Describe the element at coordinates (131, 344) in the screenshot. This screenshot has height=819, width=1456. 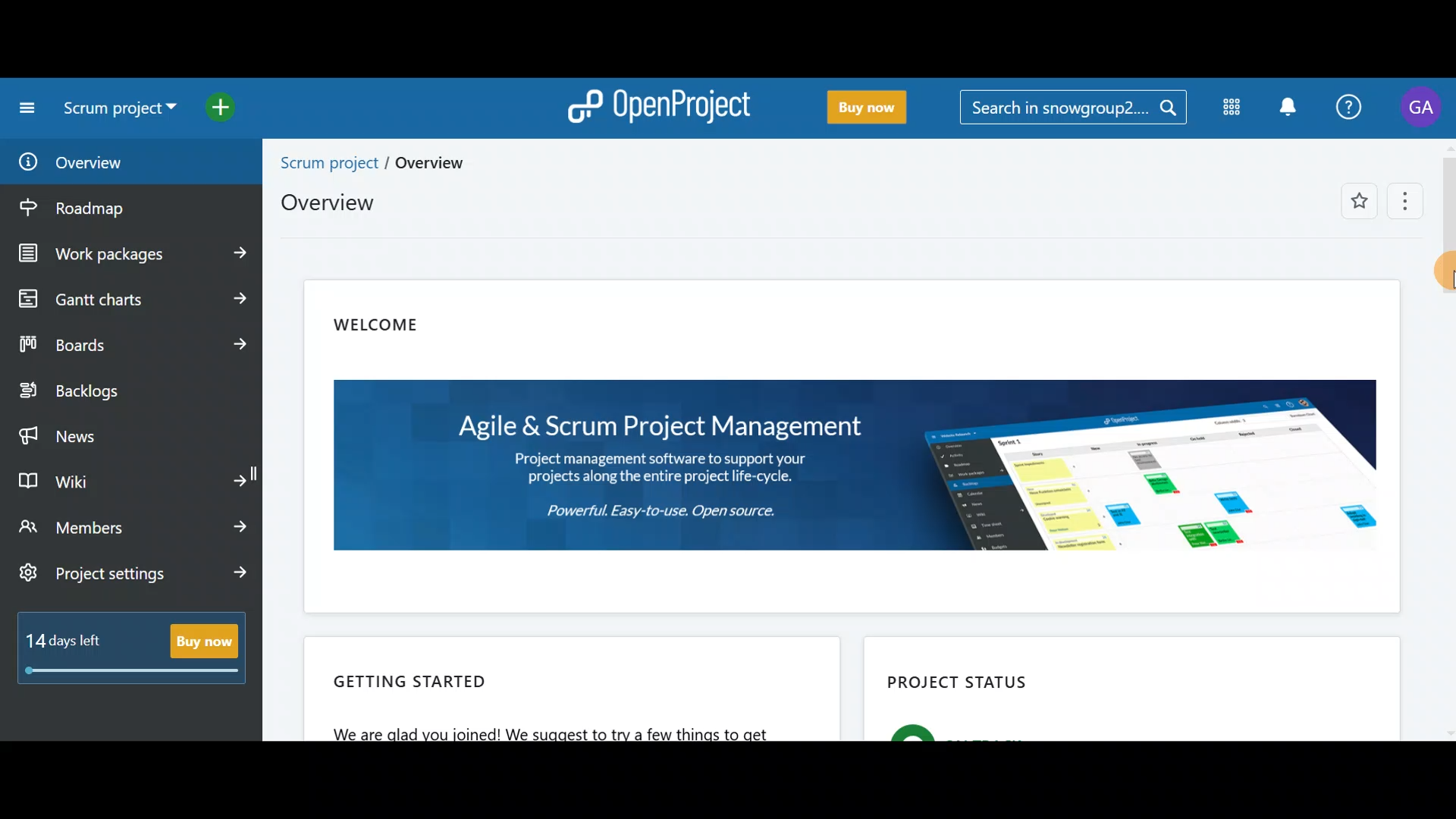
I see `Boards` at that location.